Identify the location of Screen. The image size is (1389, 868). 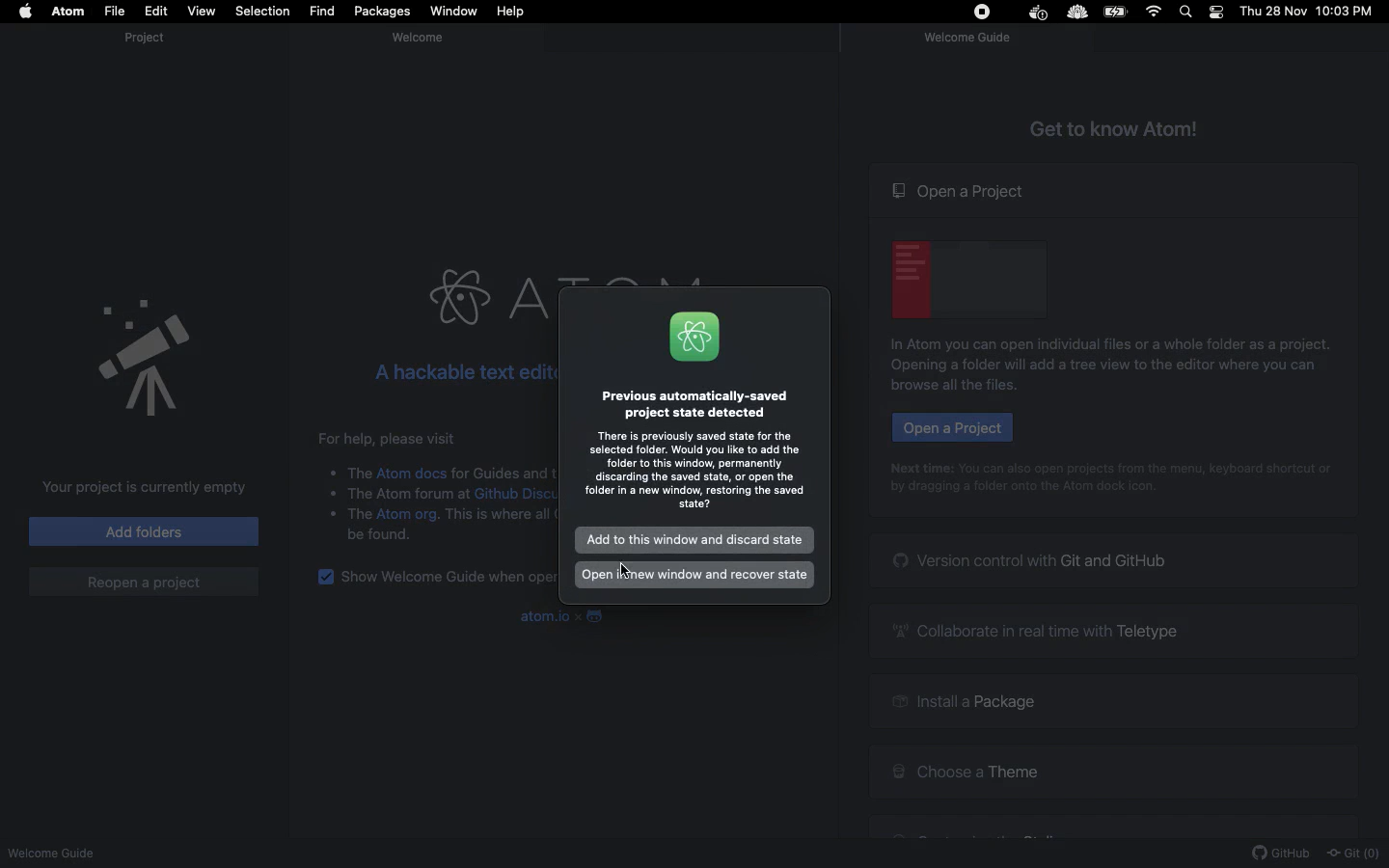
(970, 277).